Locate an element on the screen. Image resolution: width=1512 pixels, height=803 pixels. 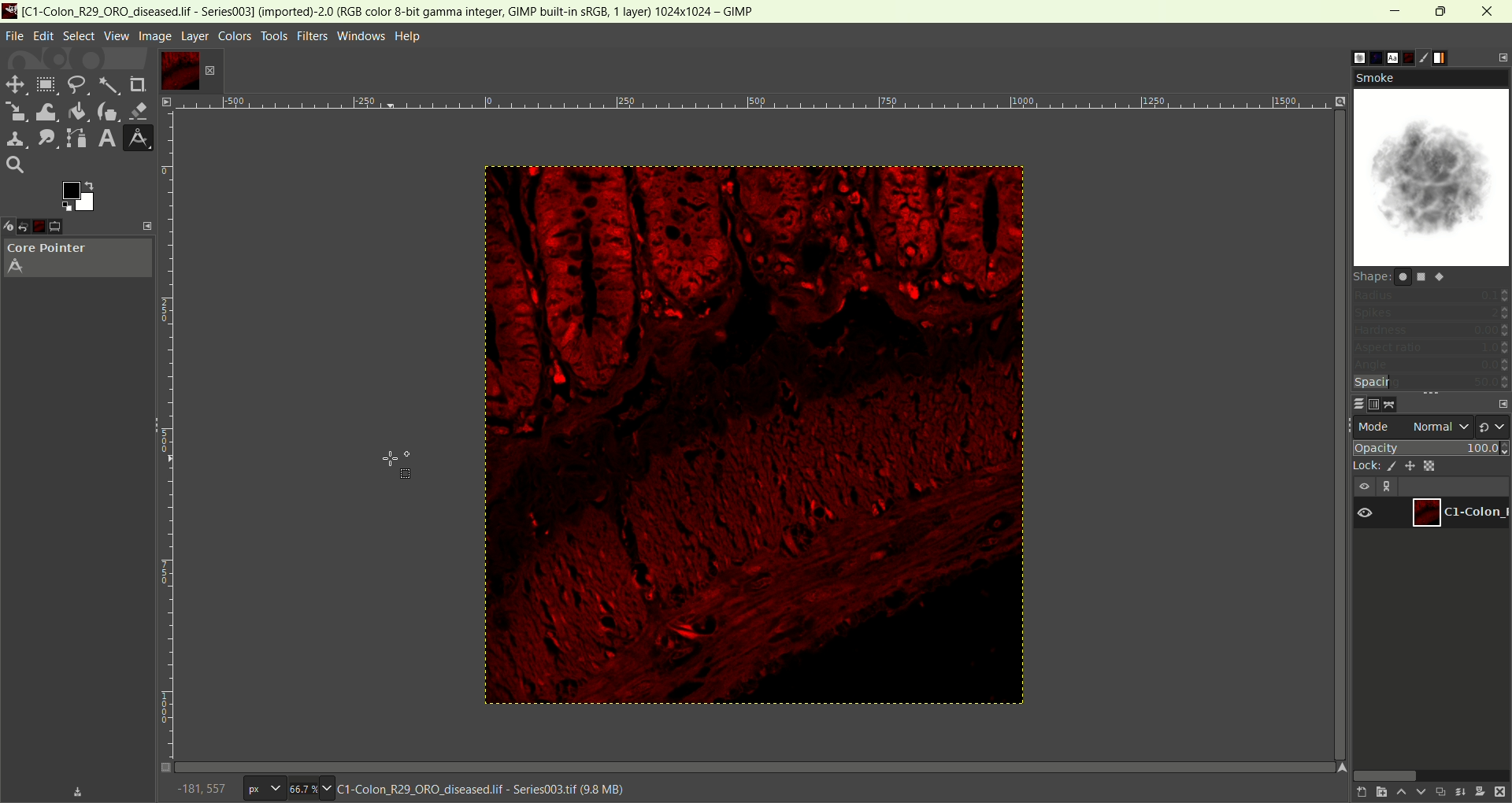
image title is located at coordinates (483, 789).